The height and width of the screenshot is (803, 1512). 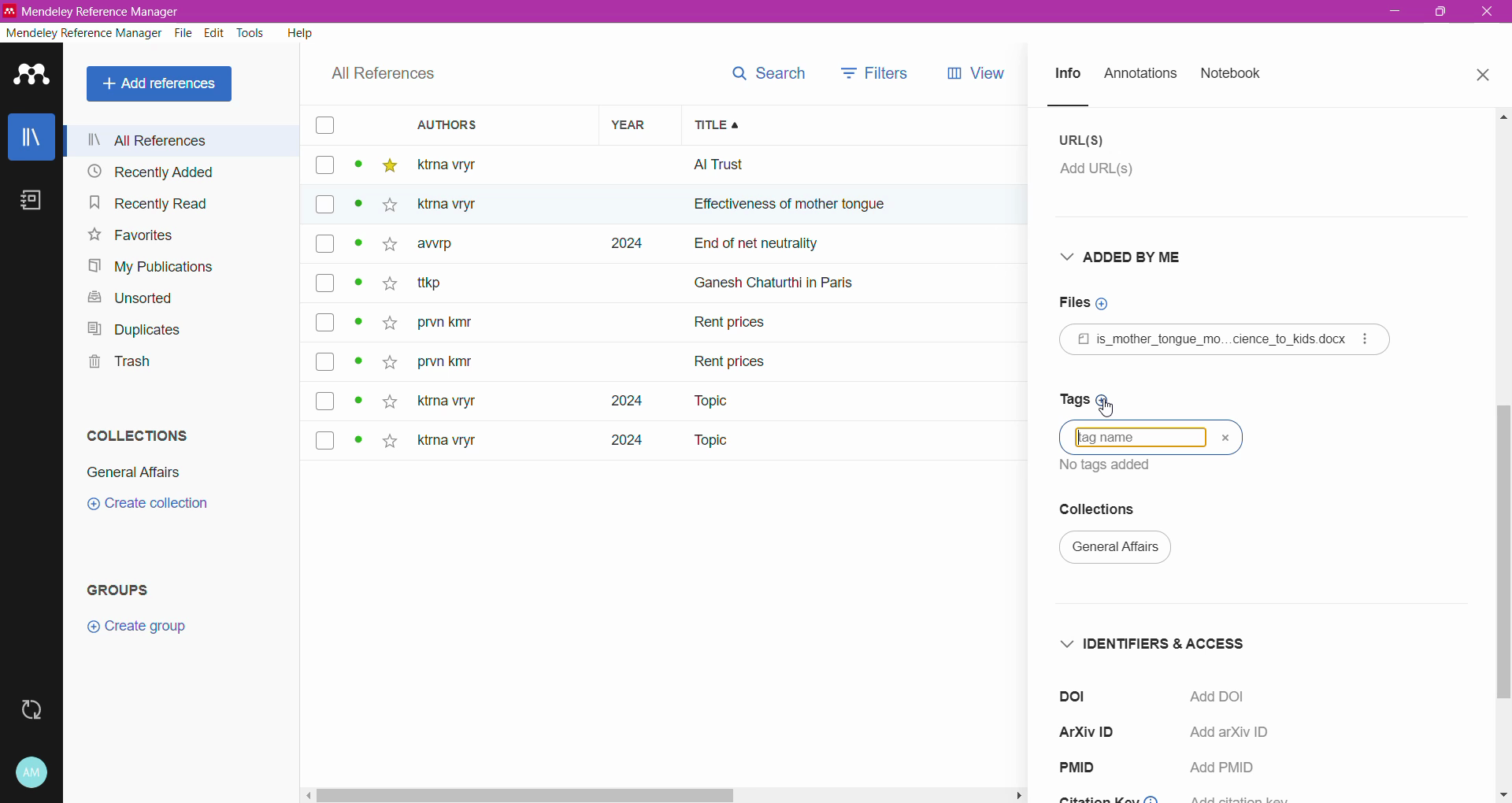 What do you see at coordinates (135, 329) in the screenshot?
I see `Duplicates` at bounding box center [135, 329].